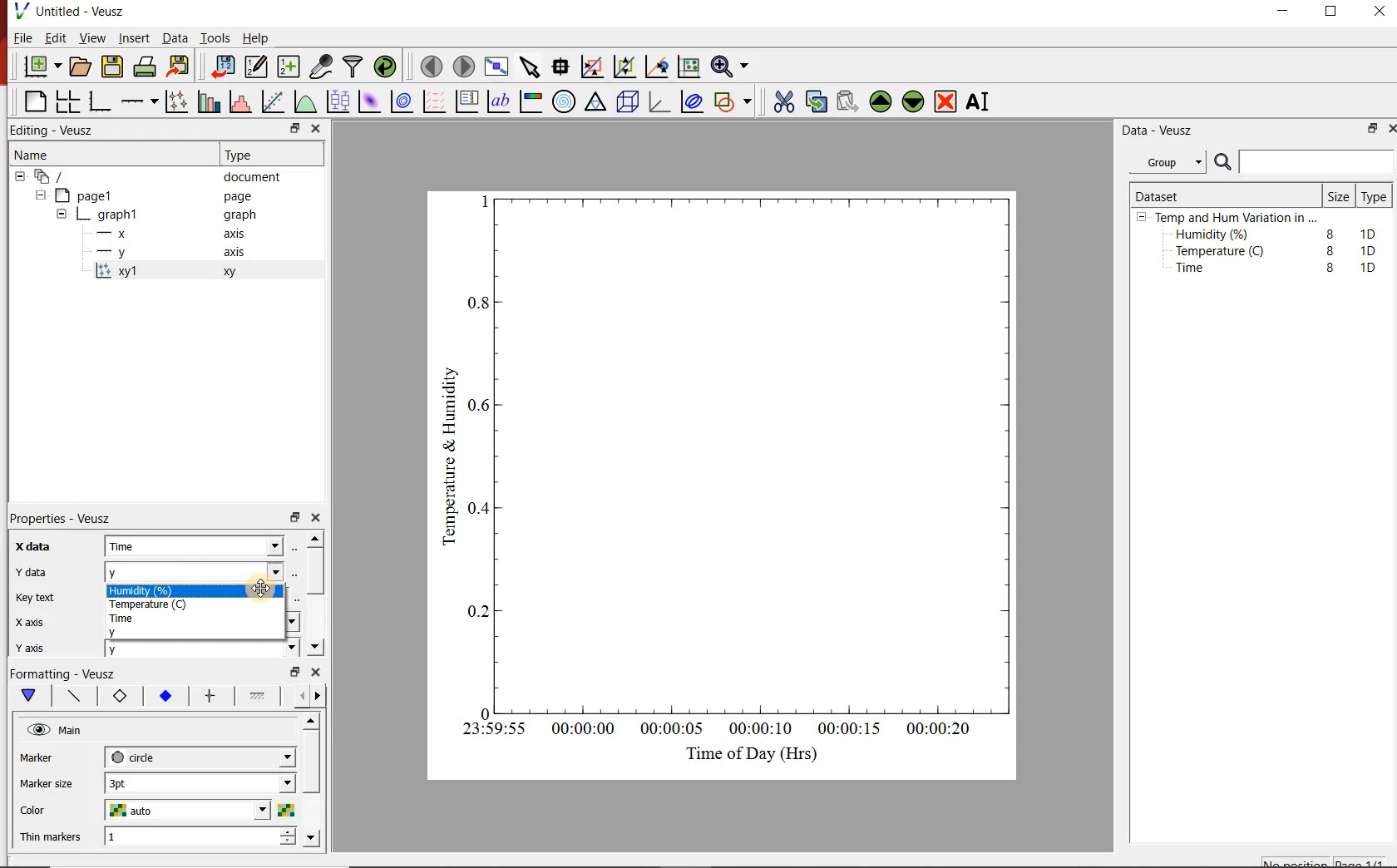 The width and height of the screenshot is (1397, 868). Describe the element at coordinates (597, 104) in the screenshot. I see `ternary graph` at that location.